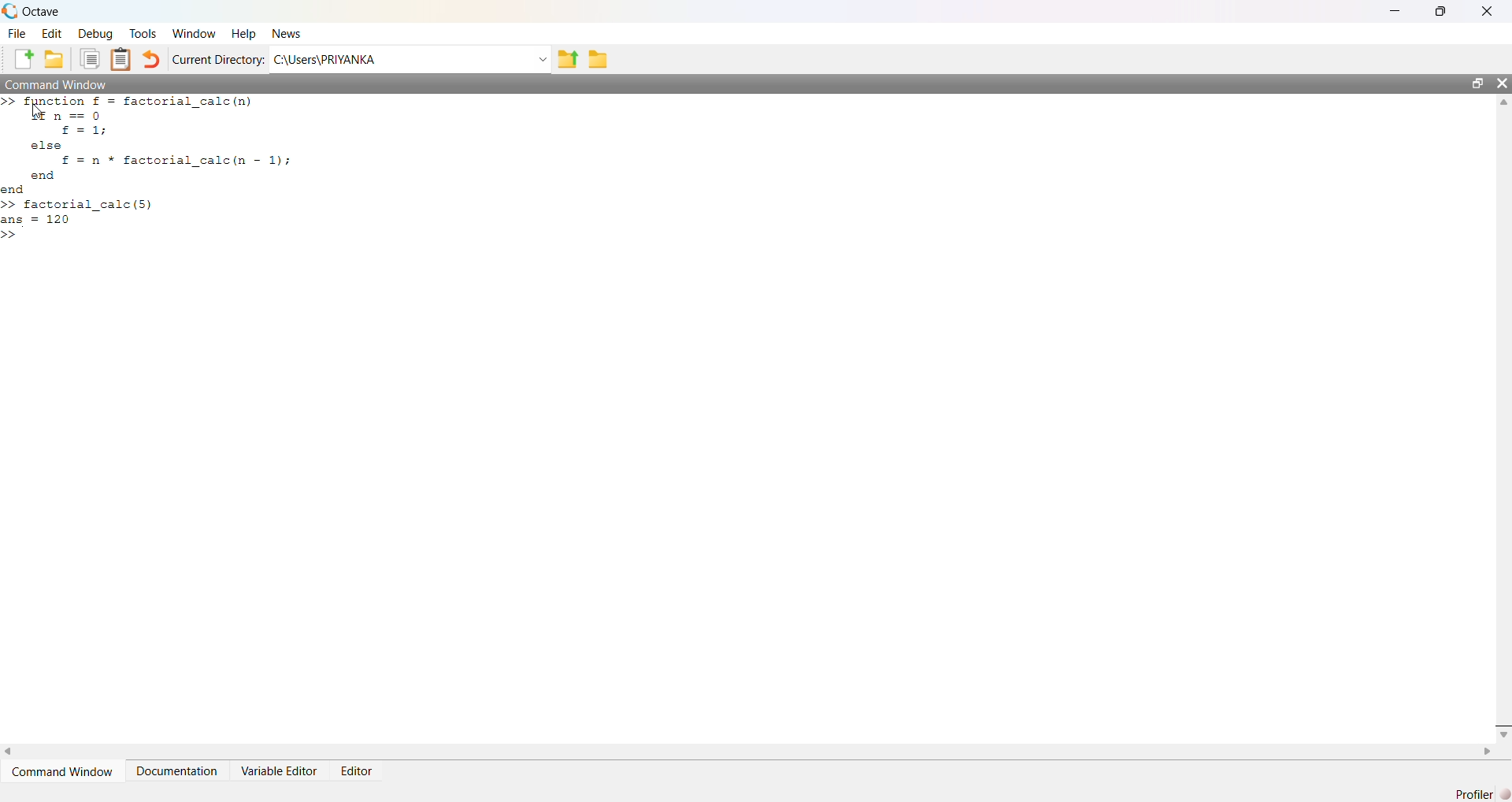 The image size is (1512, 802). Describe the element at coordinates (281, 770) in the screenshot. I see `Variable Editor` at that location.